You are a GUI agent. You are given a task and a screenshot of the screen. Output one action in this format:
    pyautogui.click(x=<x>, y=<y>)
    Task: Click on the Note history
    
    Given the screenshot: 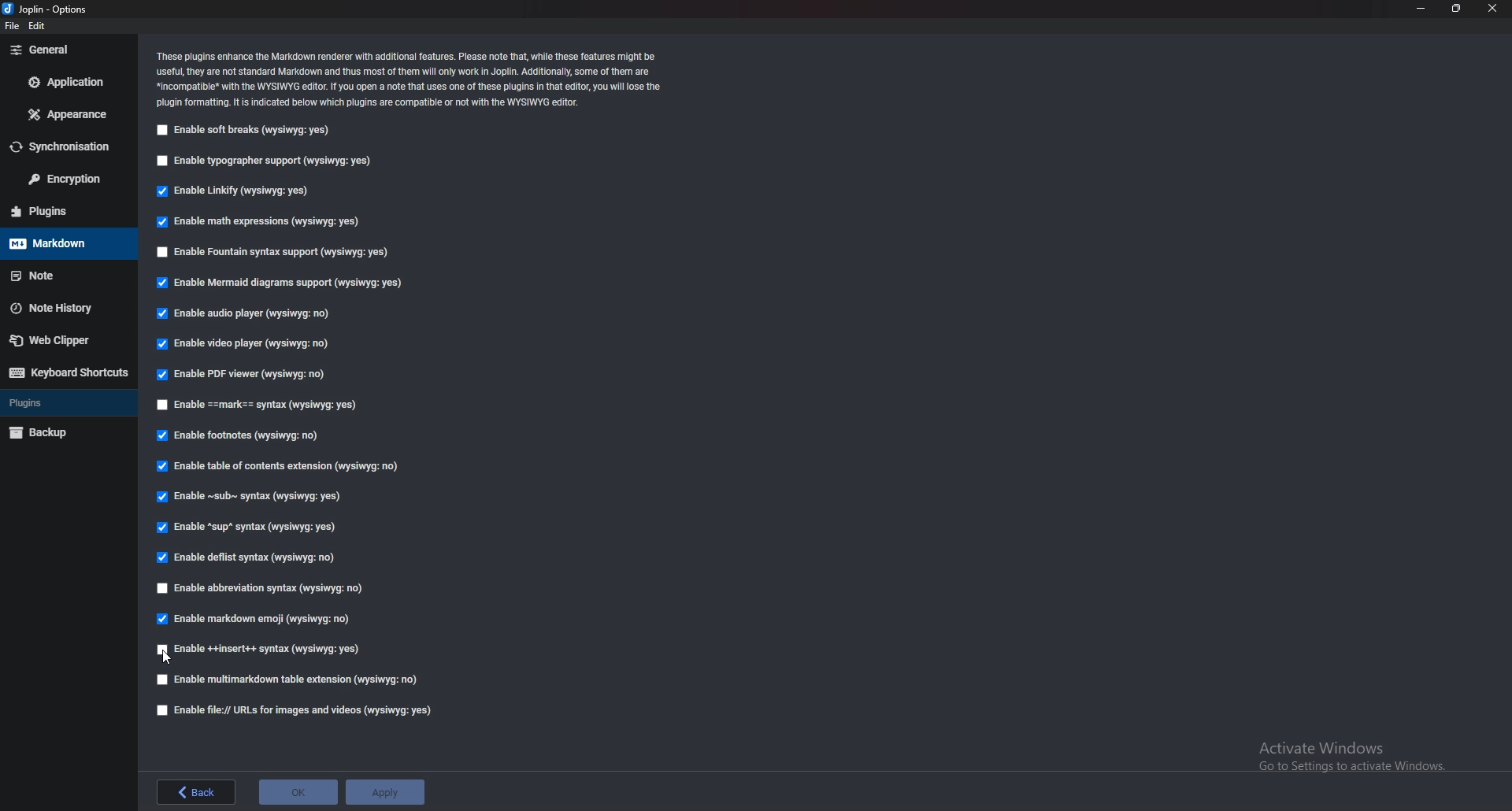 What is the action you would take?
    pyautogui.click(x=65, y=307)
    